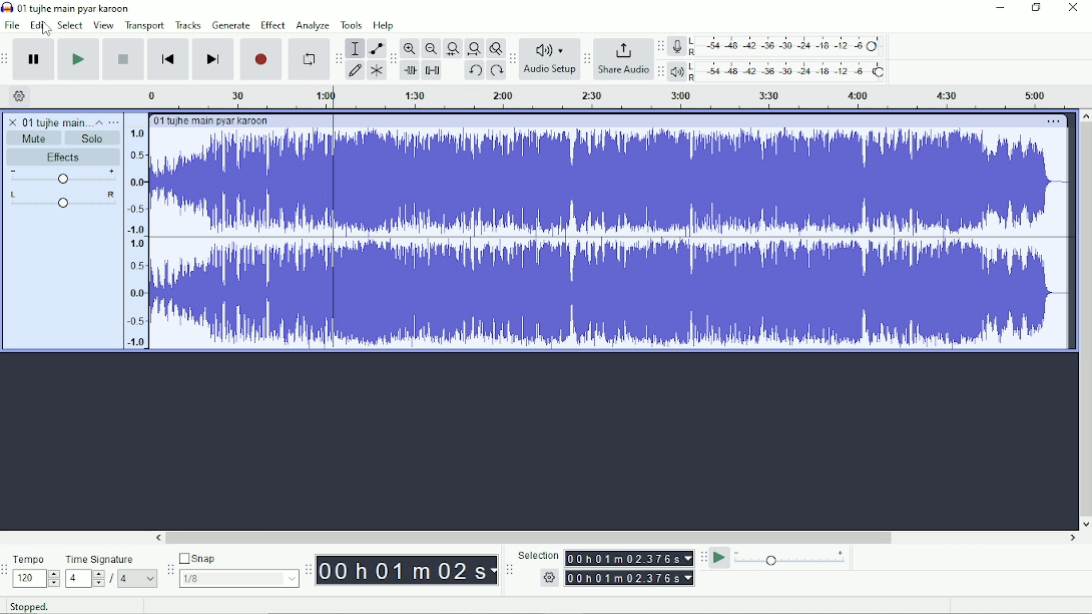  I want to click on Audio Setup, so click(549, 60).